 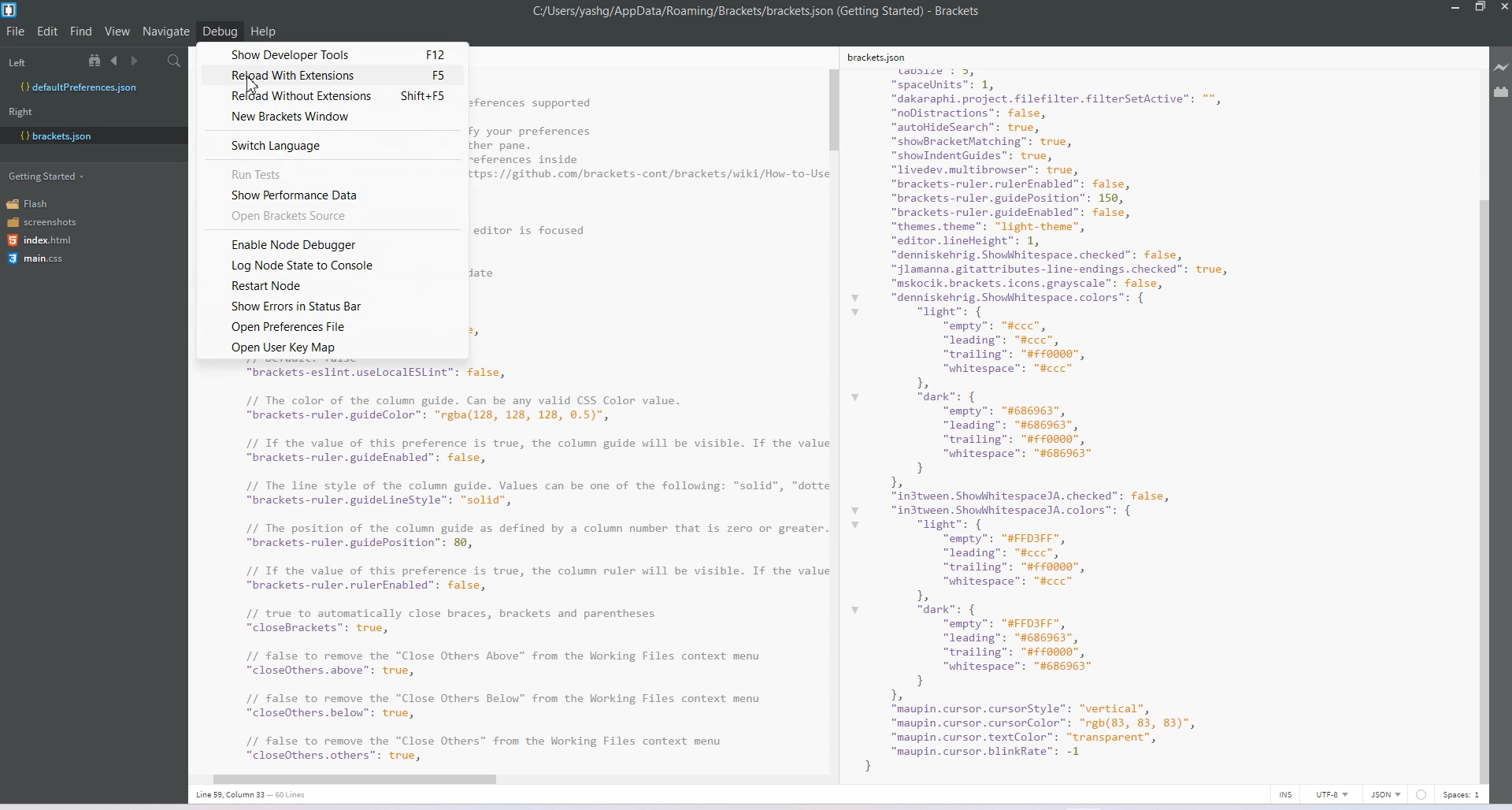 I want to click on Spaces 1, so click(x=1462, y=795).